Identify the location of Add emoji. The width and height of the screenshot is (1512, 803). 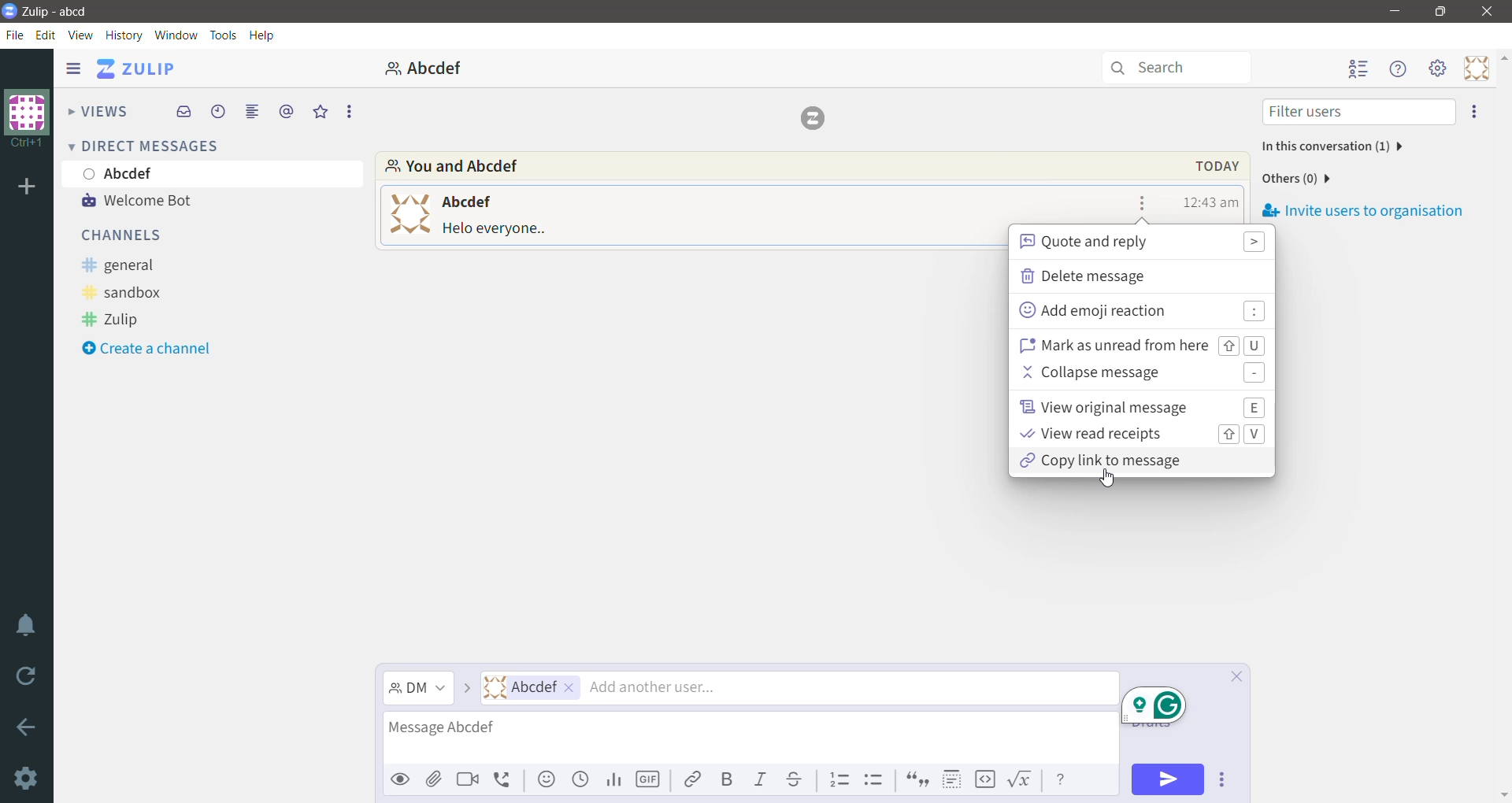
(547, 779).